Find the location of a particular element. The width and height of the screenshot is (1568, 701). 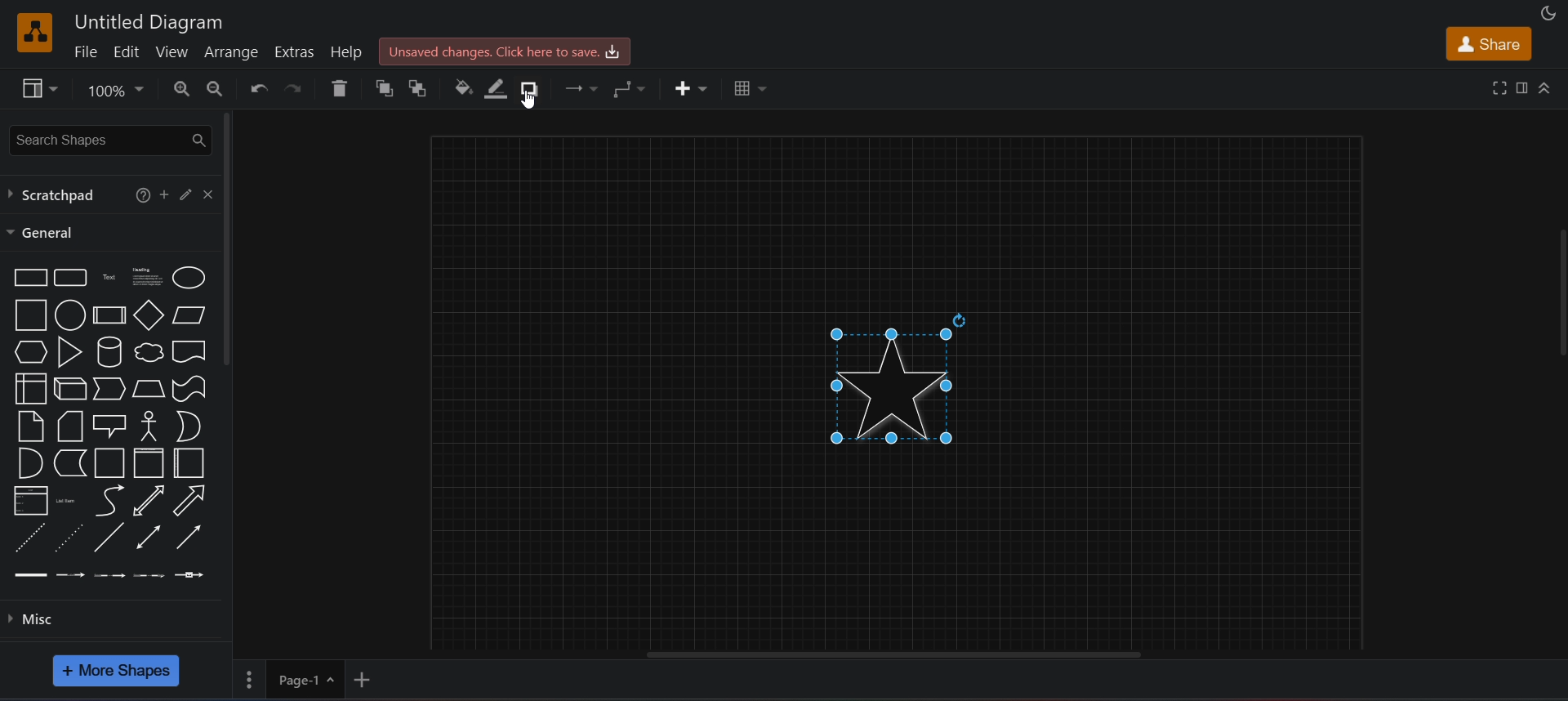

bidirectional connector is located at coordinates (148, 537).